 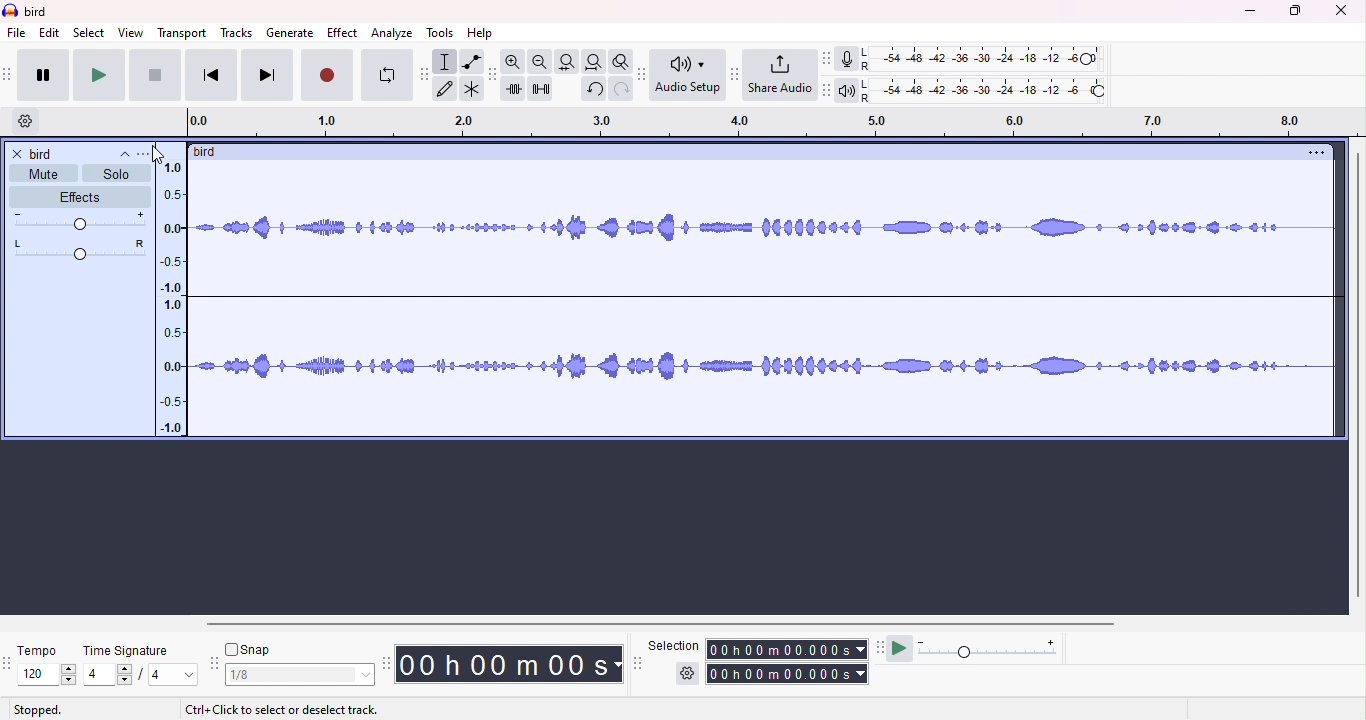 What do you see at coordinates (216, 664) in the screenshot?
I see `snap tool bar` at bounding box center [216, 664].